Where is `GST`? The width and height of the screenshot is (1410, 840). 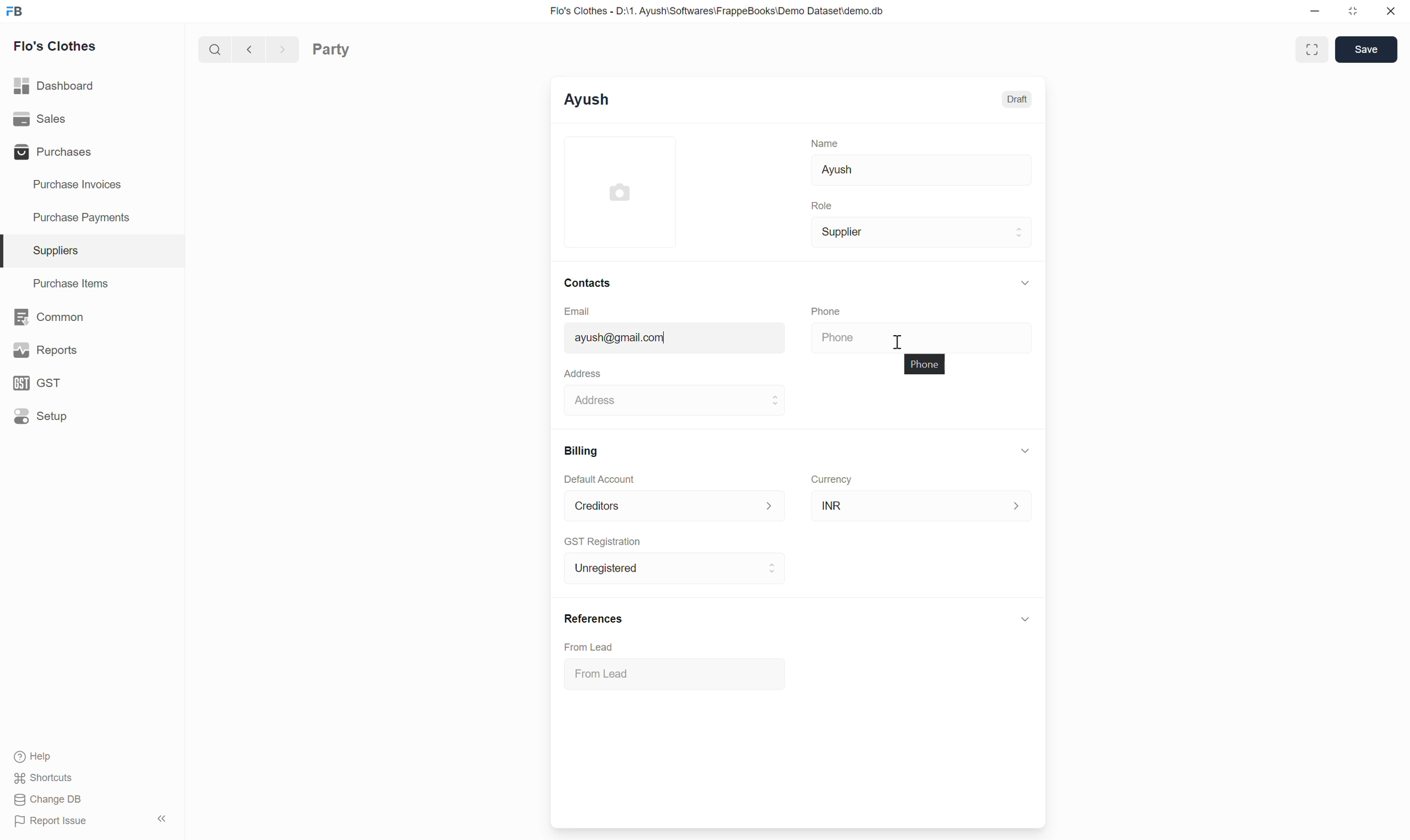
GST is located at coordinates (91, 383).